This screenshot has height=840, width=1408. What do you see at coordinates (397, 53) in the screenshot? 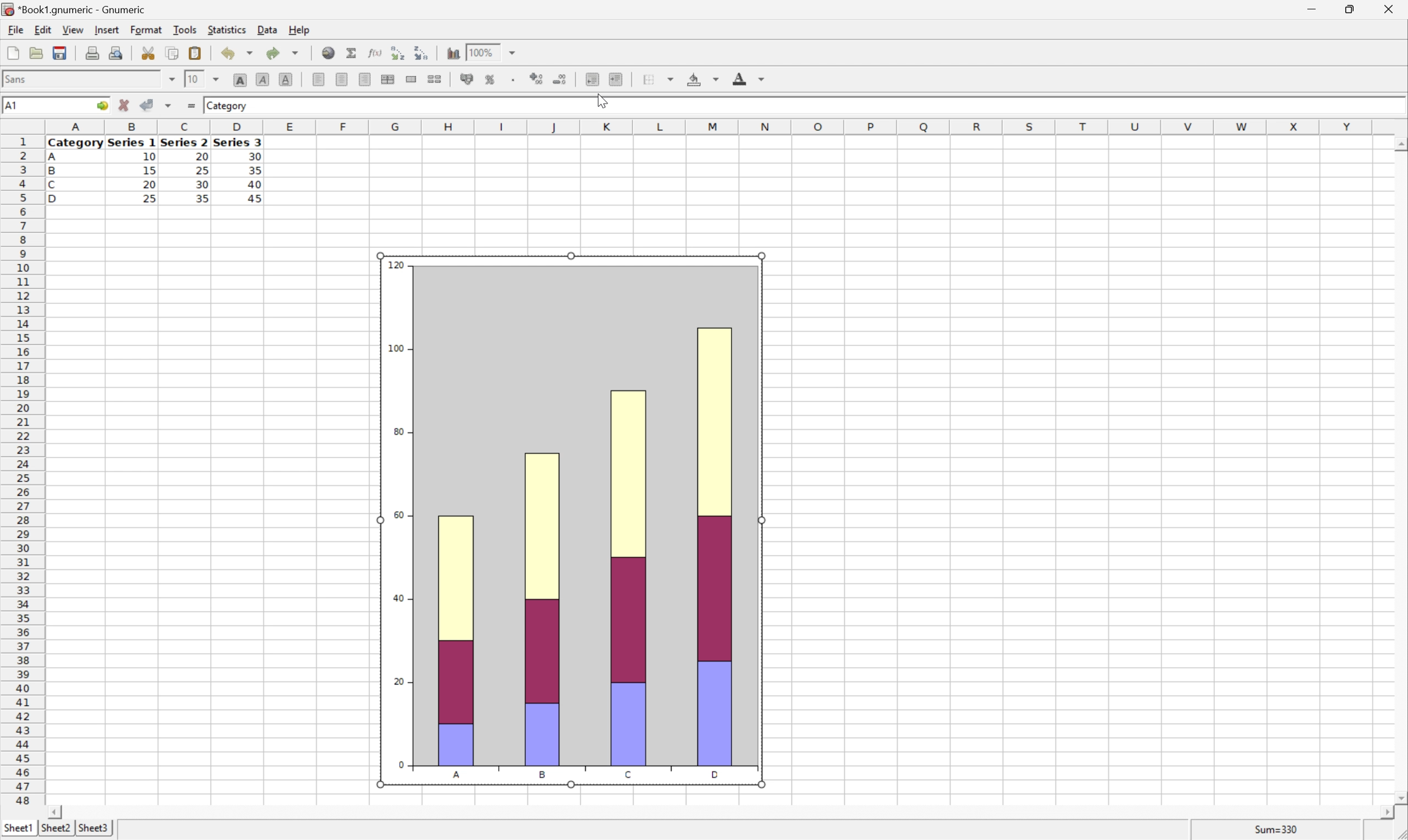
I see `Sort the selected region in ascending order based on the first column selected` at bounding box center [397, 53].